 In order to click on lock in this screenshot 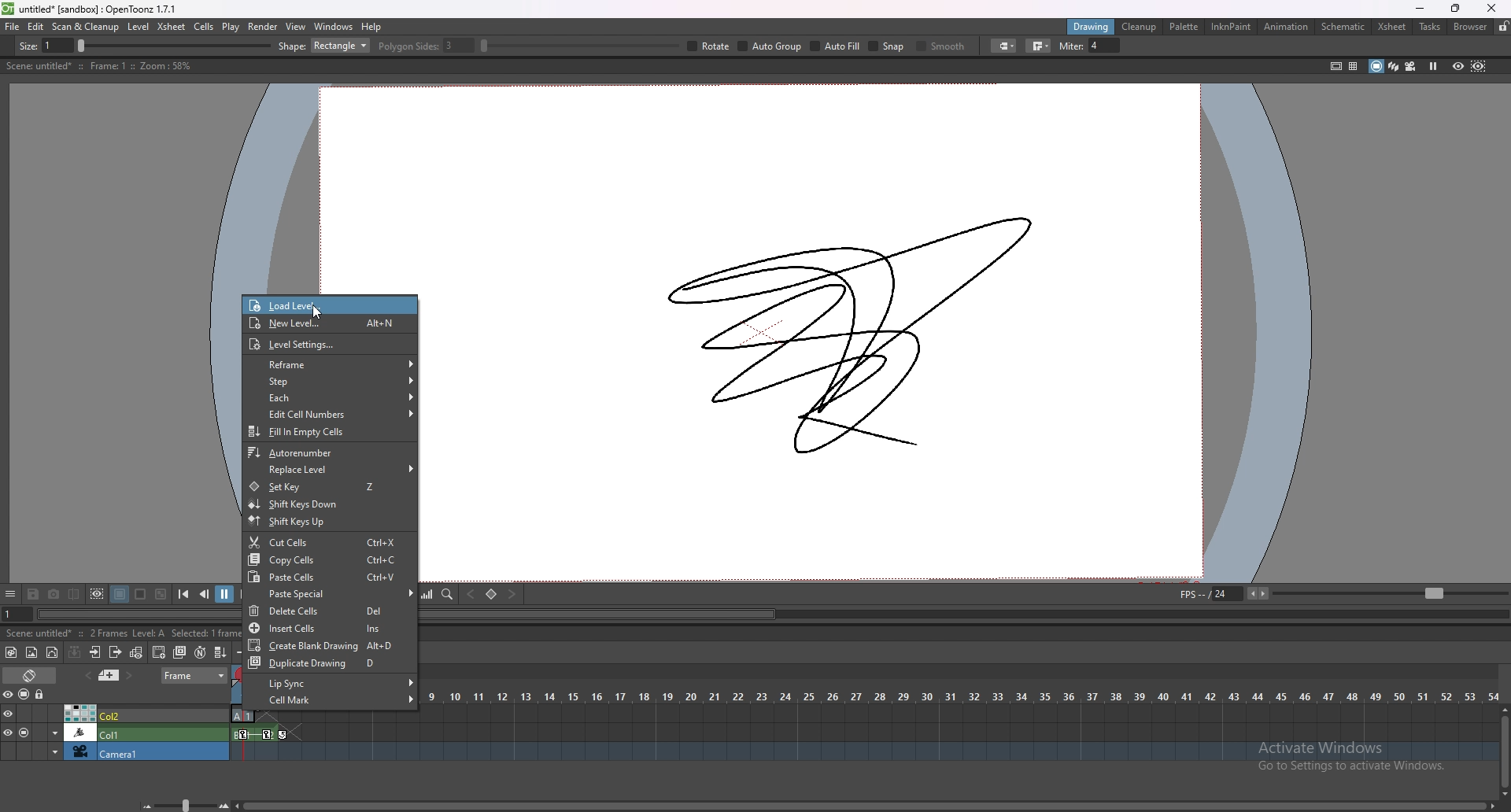, I will do `click(1503, 26)`.